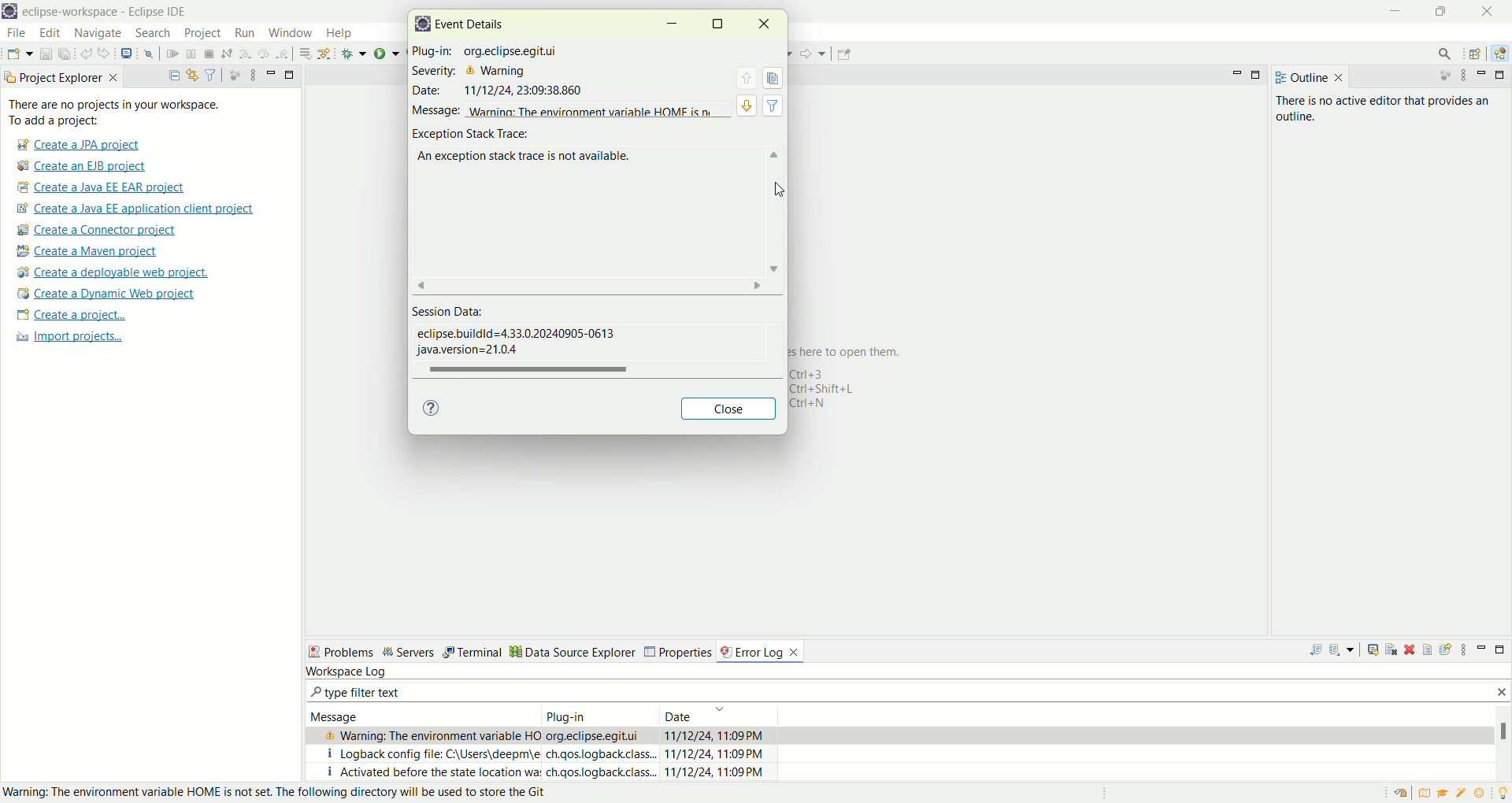 The height and width of the screenshot is (803, 1512). What do you see at coordinates (112, 16) in the screenshot?
I see `eclipse-workspace-Eclipse-IDE` at bounding box center [112, 16].